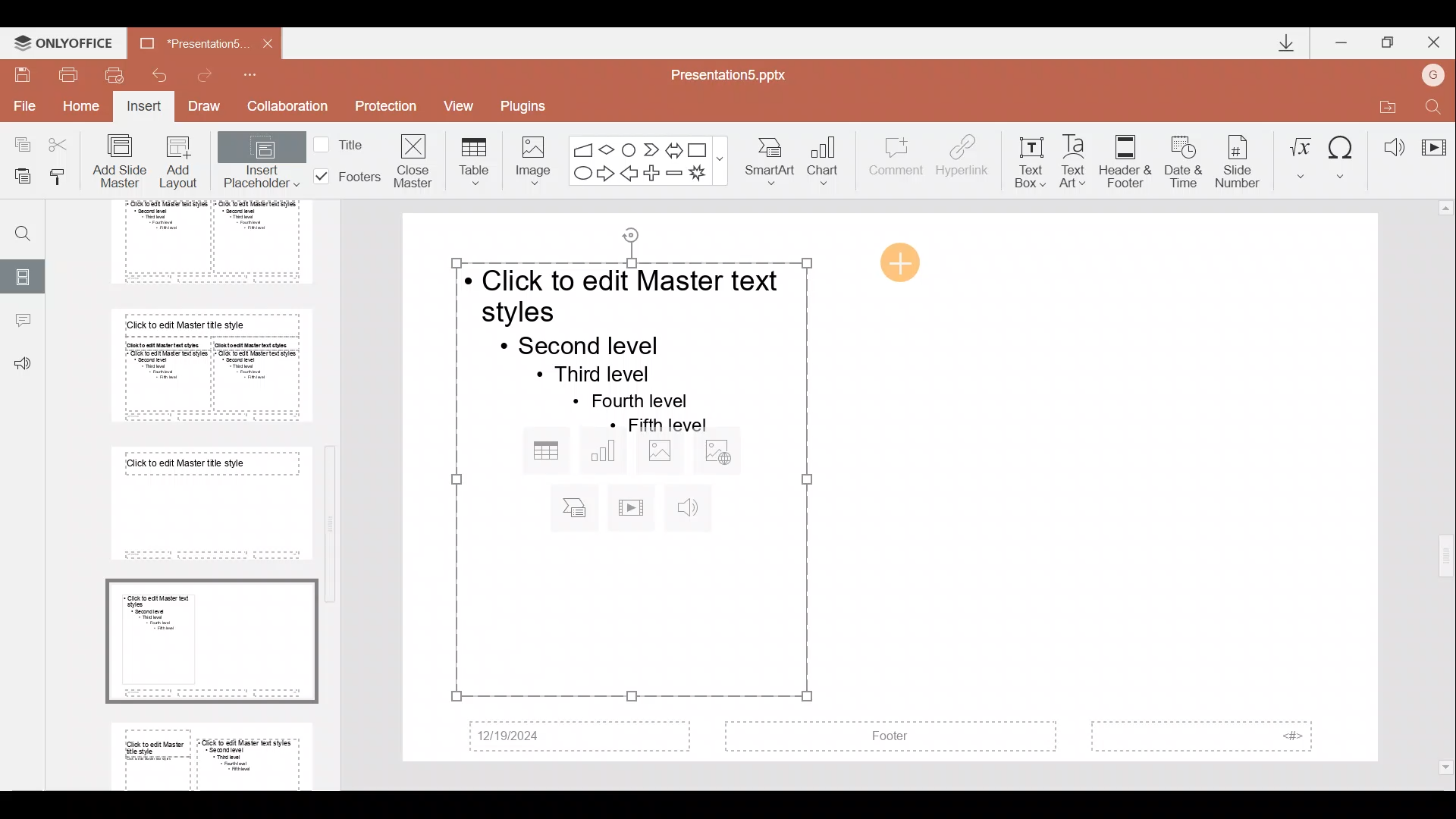 Image resolution: width=1456 pixels, height=819 pixels. What do you see at coordinates (704, 174) in the screenshot?
I see `Explosion 1` at bounding box center [704, 174].